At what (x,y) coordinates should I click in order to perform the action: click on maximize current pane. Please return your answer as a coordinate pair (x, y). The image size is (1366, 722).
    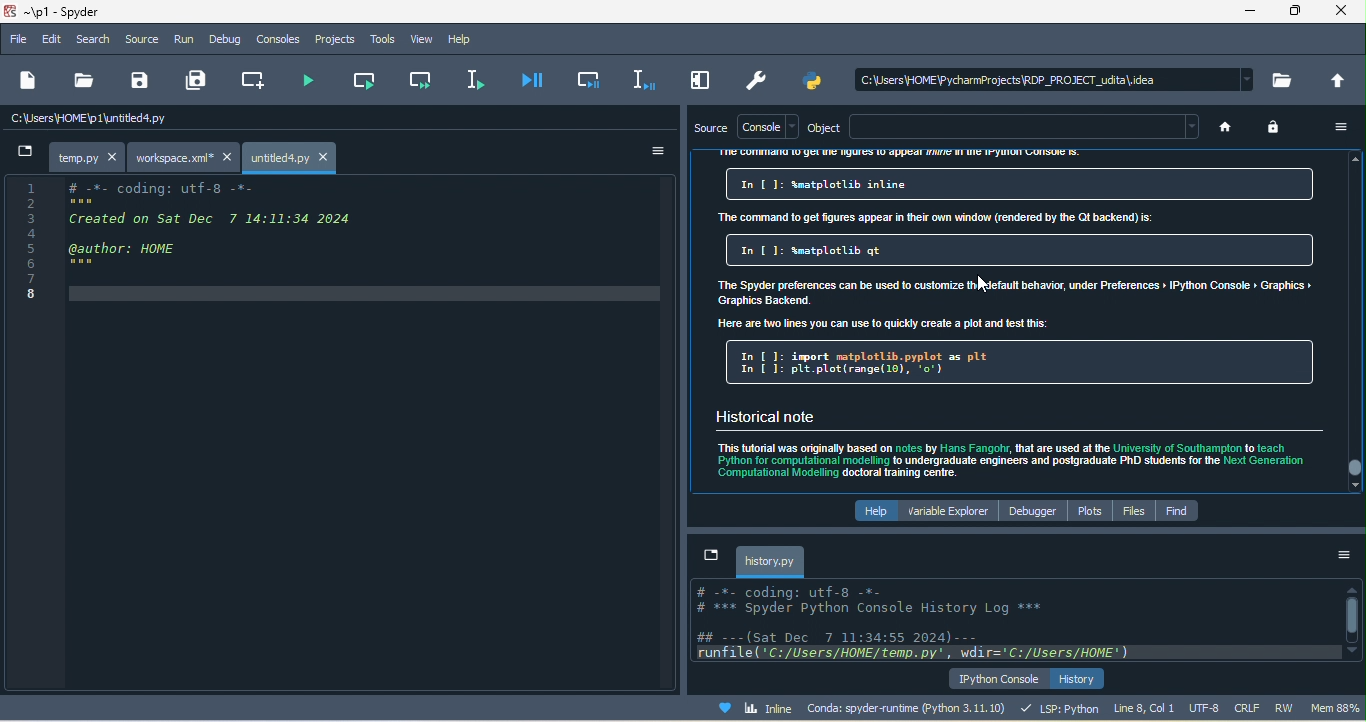
    Looking at the image, I should click on (702, 79).